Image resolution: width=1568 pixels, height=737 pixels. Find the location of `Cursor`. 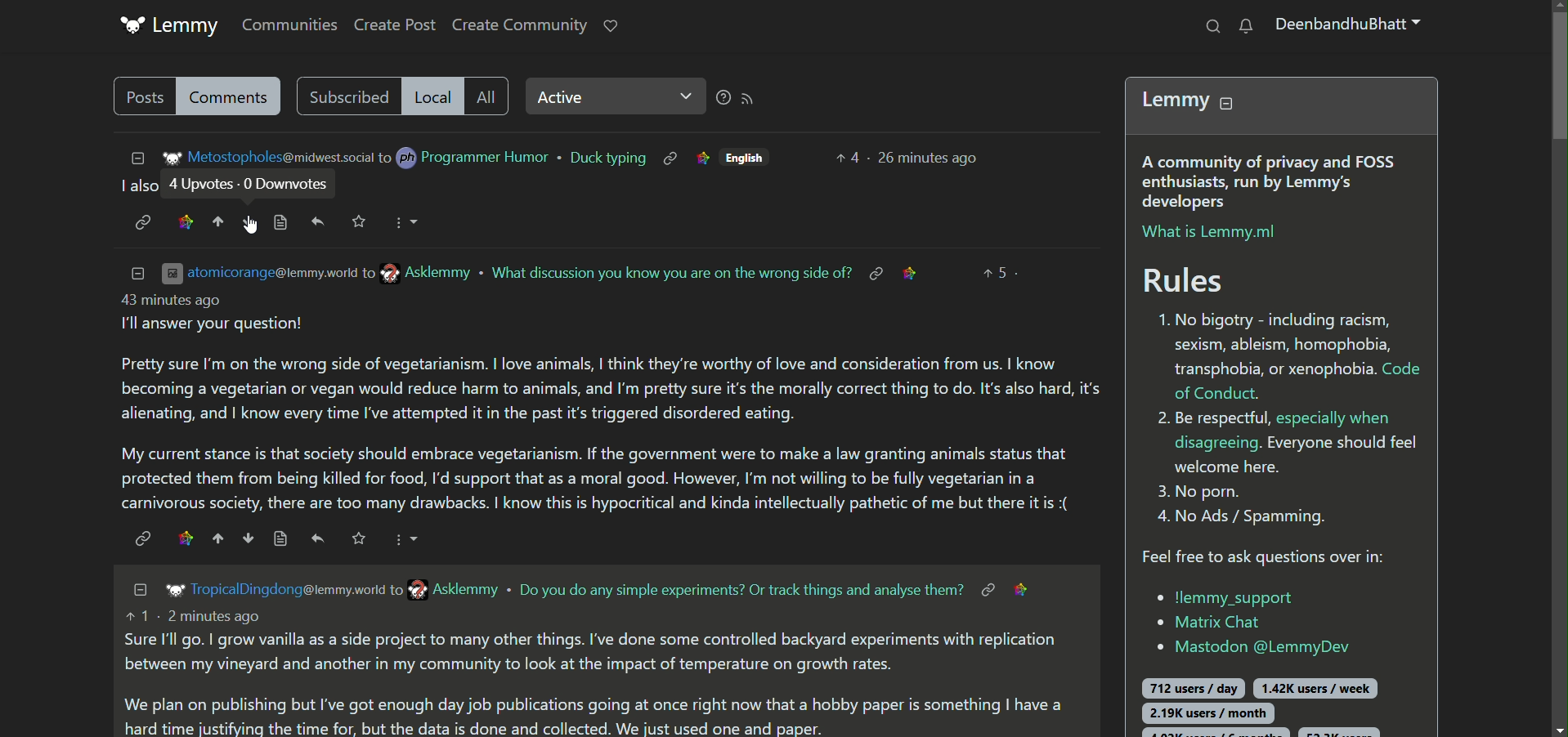

Cursor is located at coordinates (250, 225).